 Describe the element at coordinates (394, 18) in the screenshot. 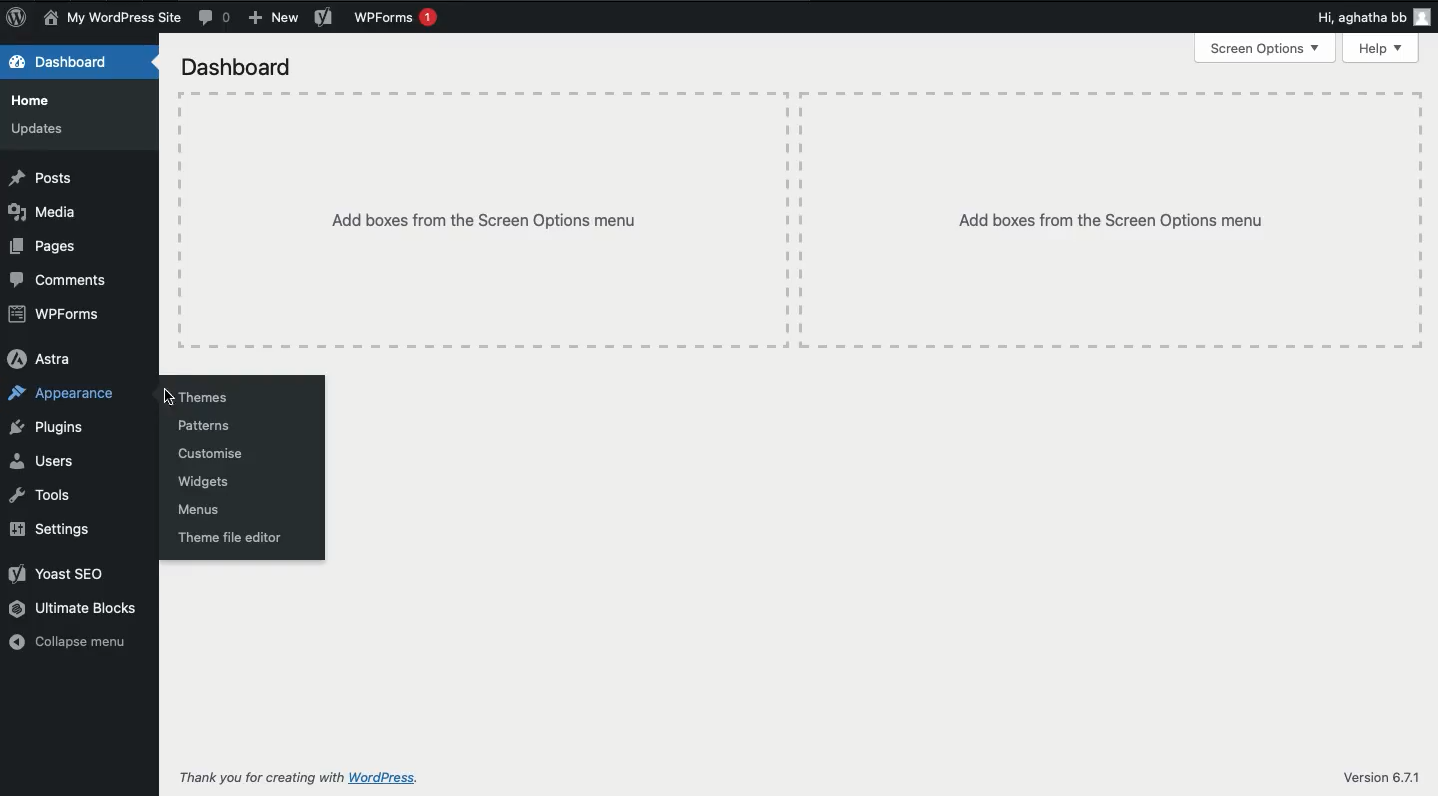

I see `WPForms` at that location.